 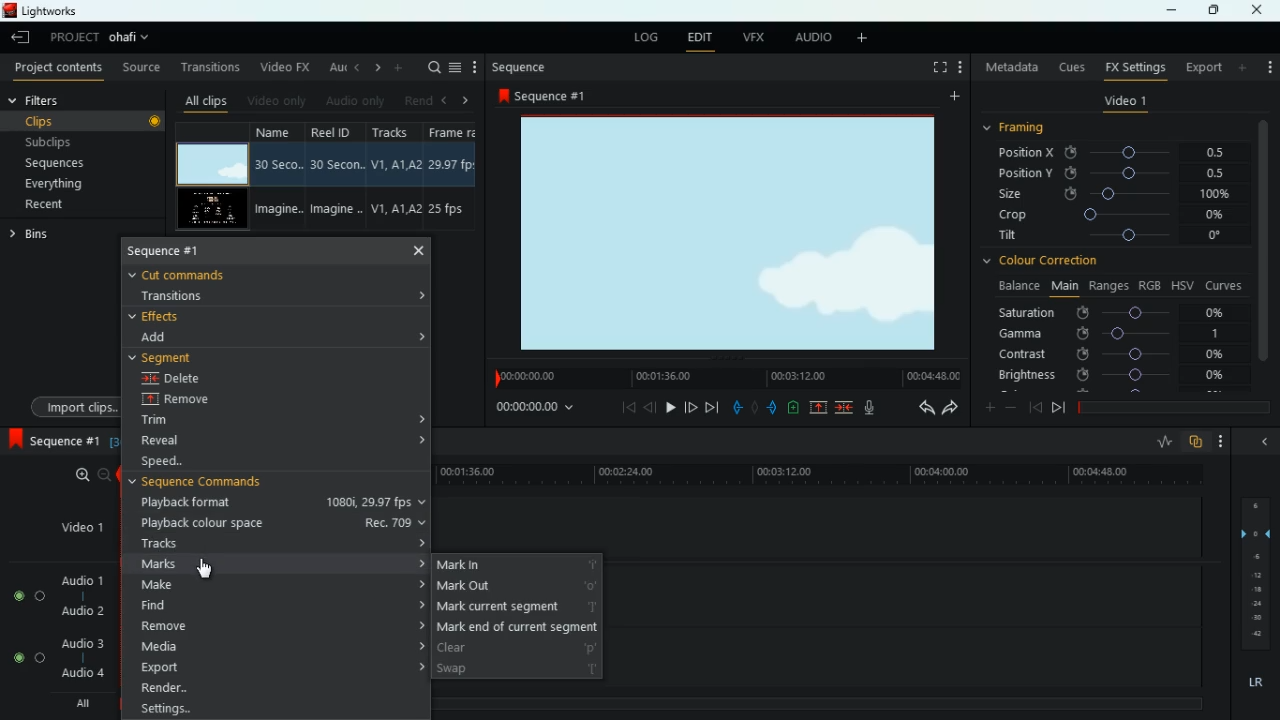 I want to click on fx settings, so click(x=1133, y=67).